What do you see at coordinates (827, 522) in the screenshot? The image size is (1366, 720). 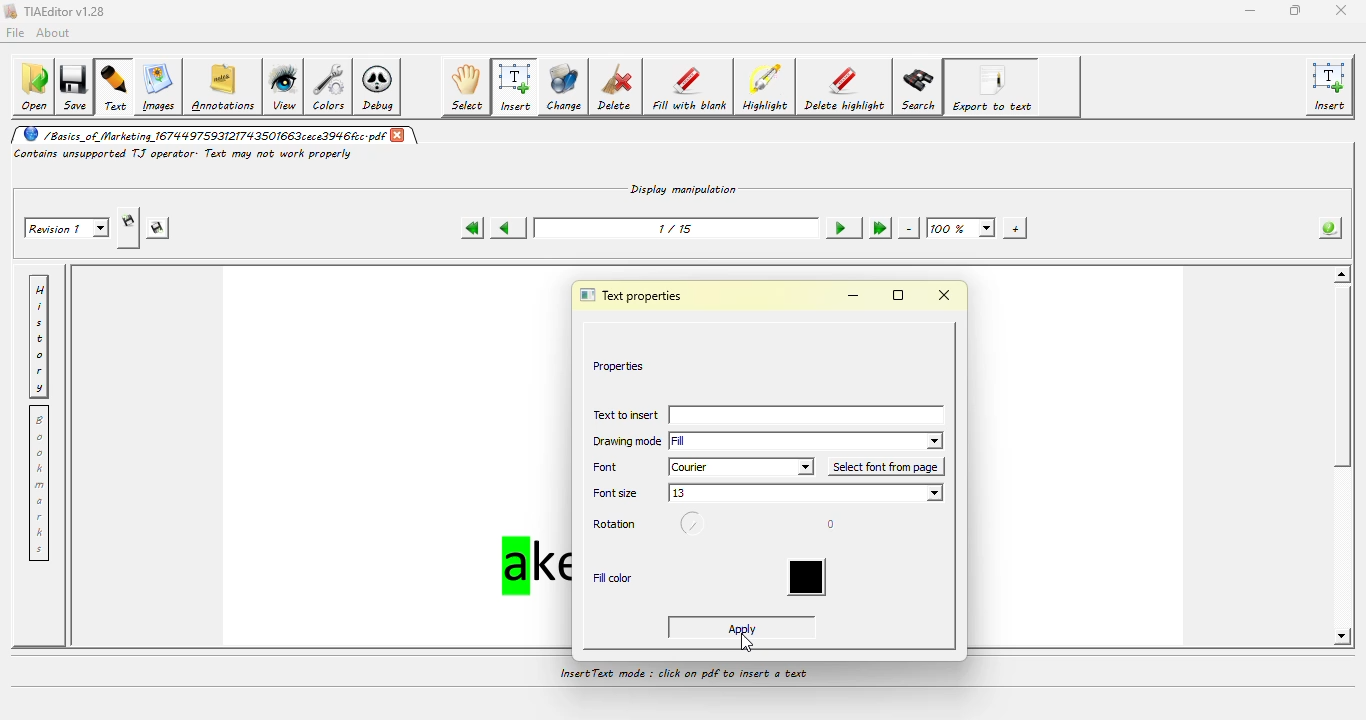 I see `rotate` at bounding box center [827, 522].